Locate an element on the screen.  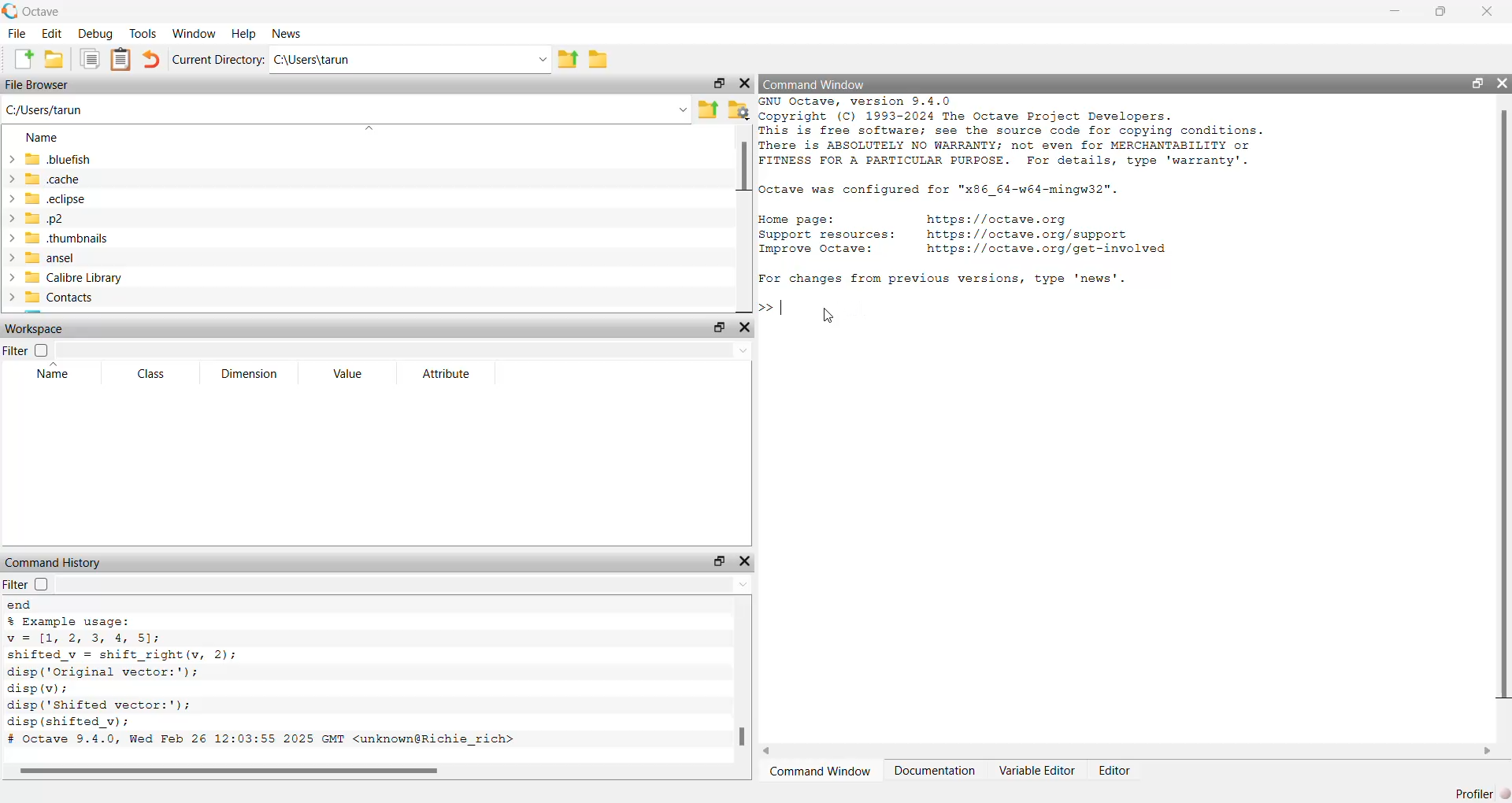
scrollbar is located at coordinates (744, 173).